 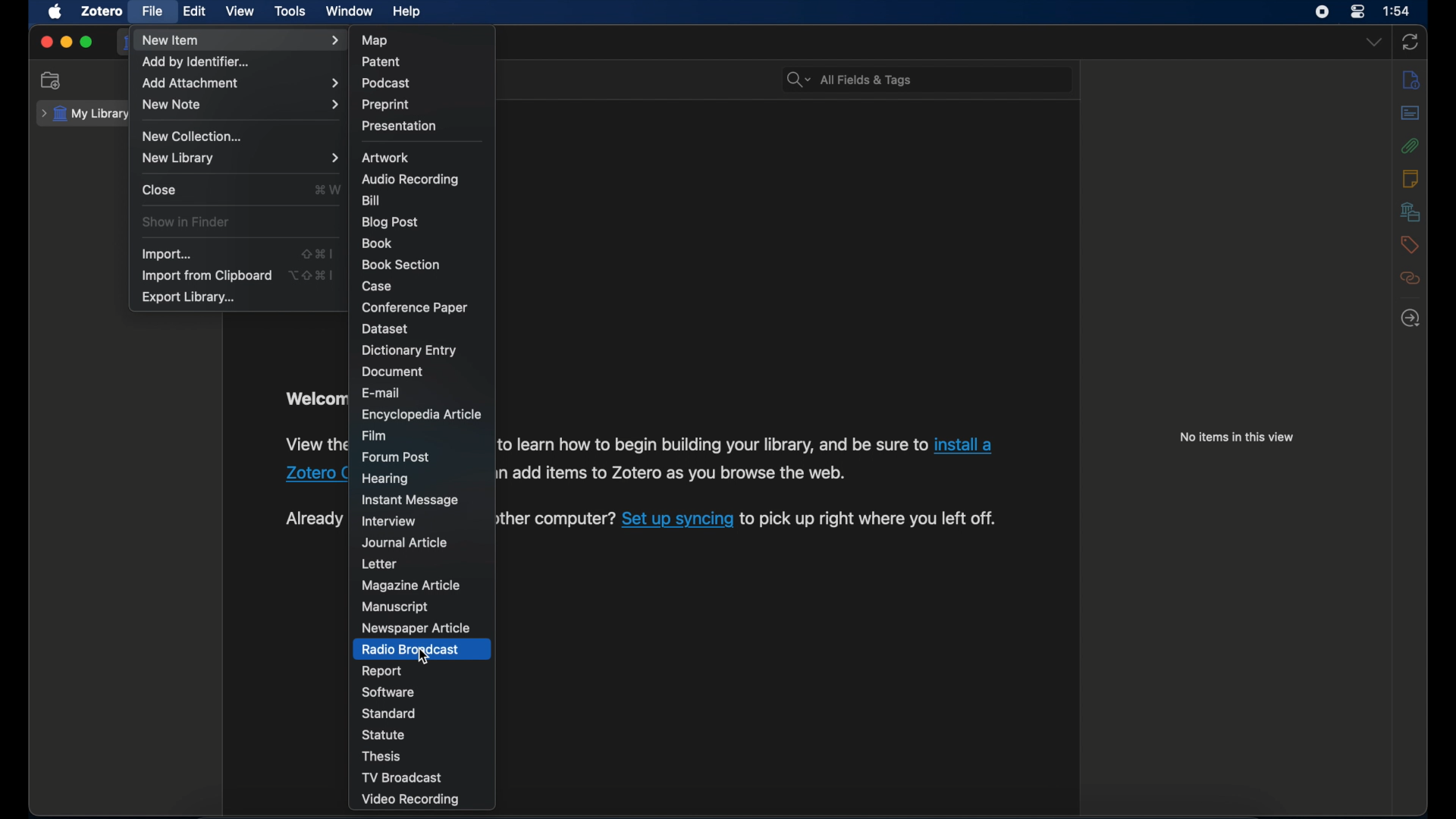 I want to click on document, so click(x=391, y=372).